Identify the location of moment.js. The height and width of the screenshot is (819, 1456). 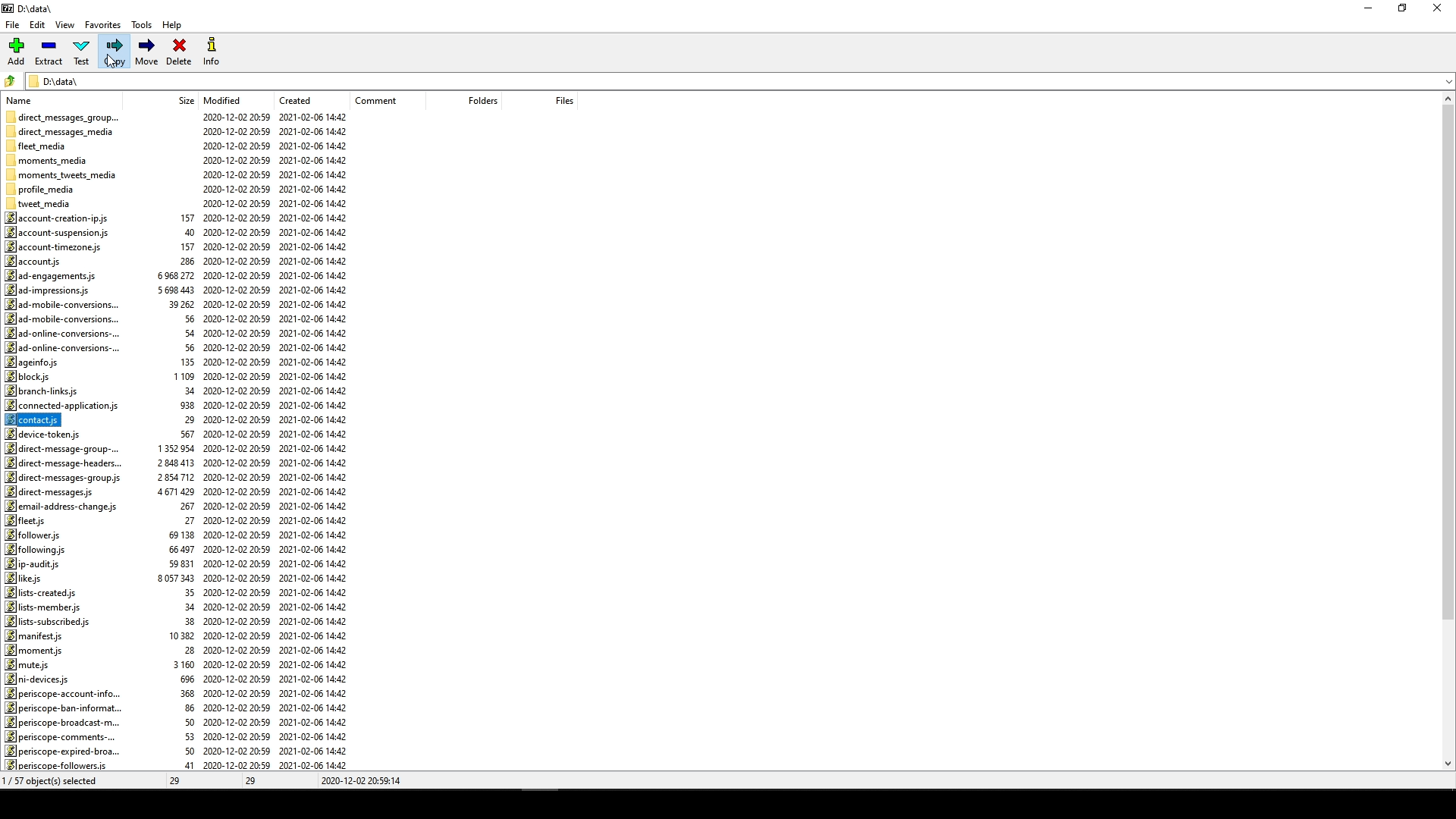
(36, 649).